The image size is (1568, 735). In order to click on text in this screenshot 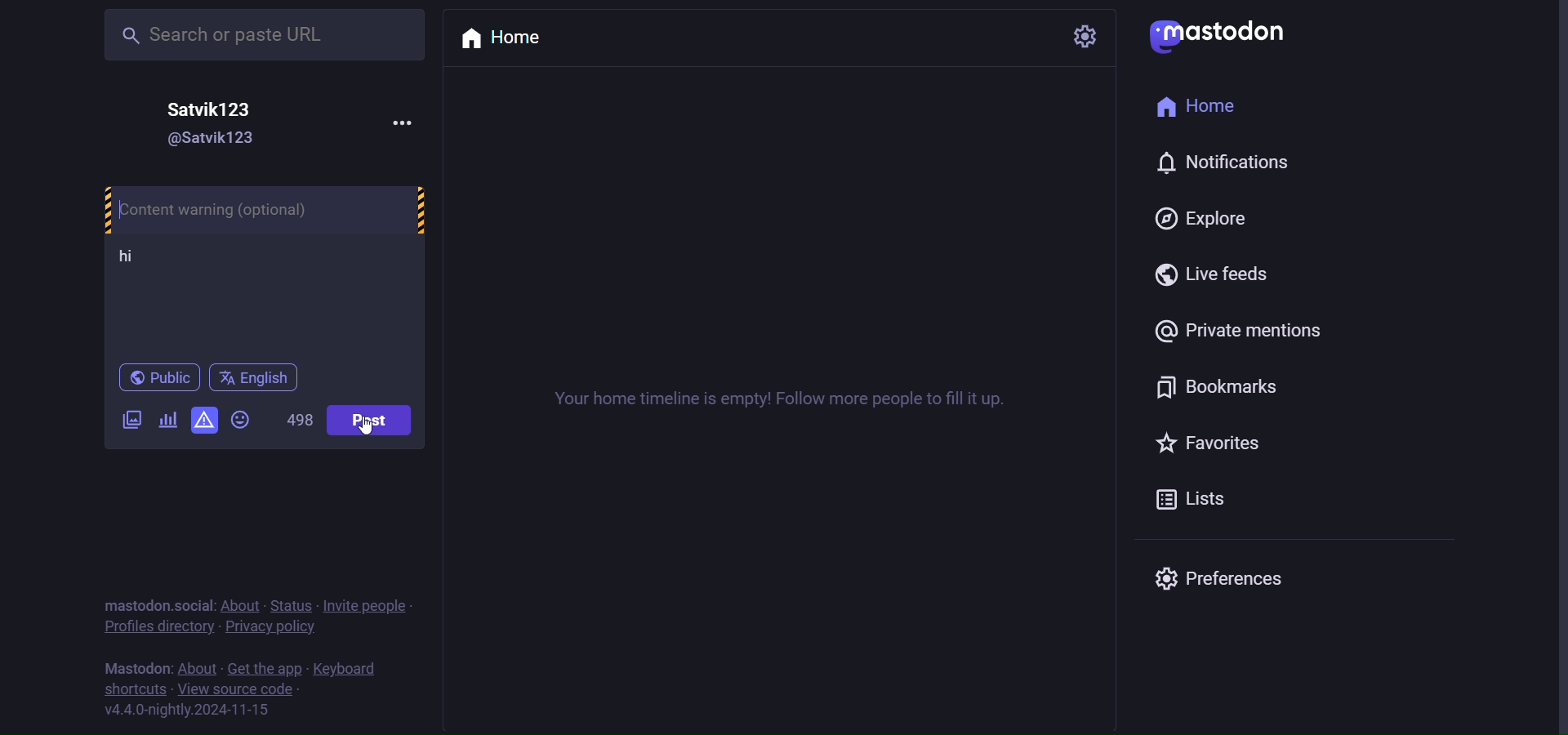, I will do `click(158, 605)`.